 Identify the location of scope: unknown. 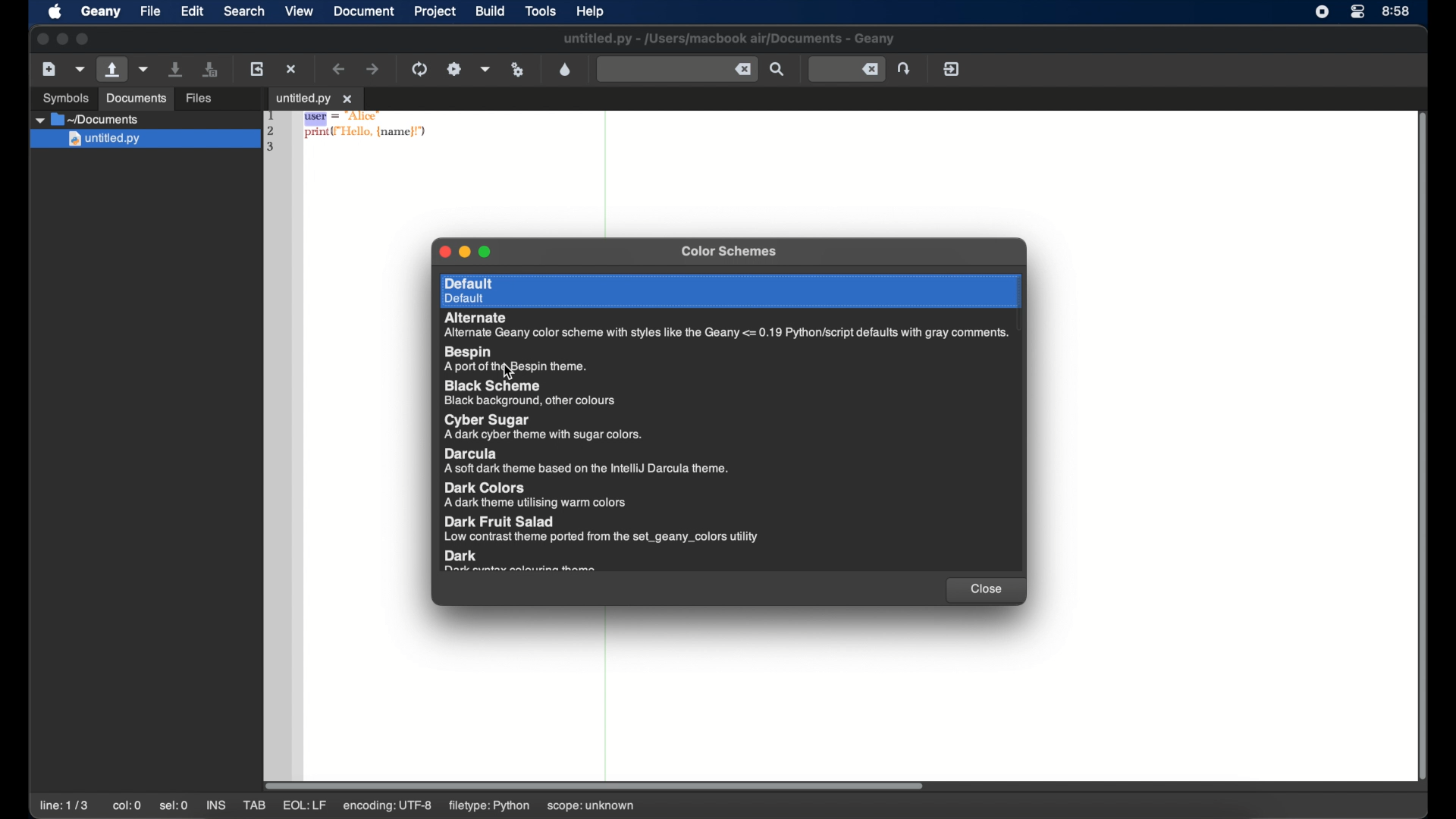
(591, 806).